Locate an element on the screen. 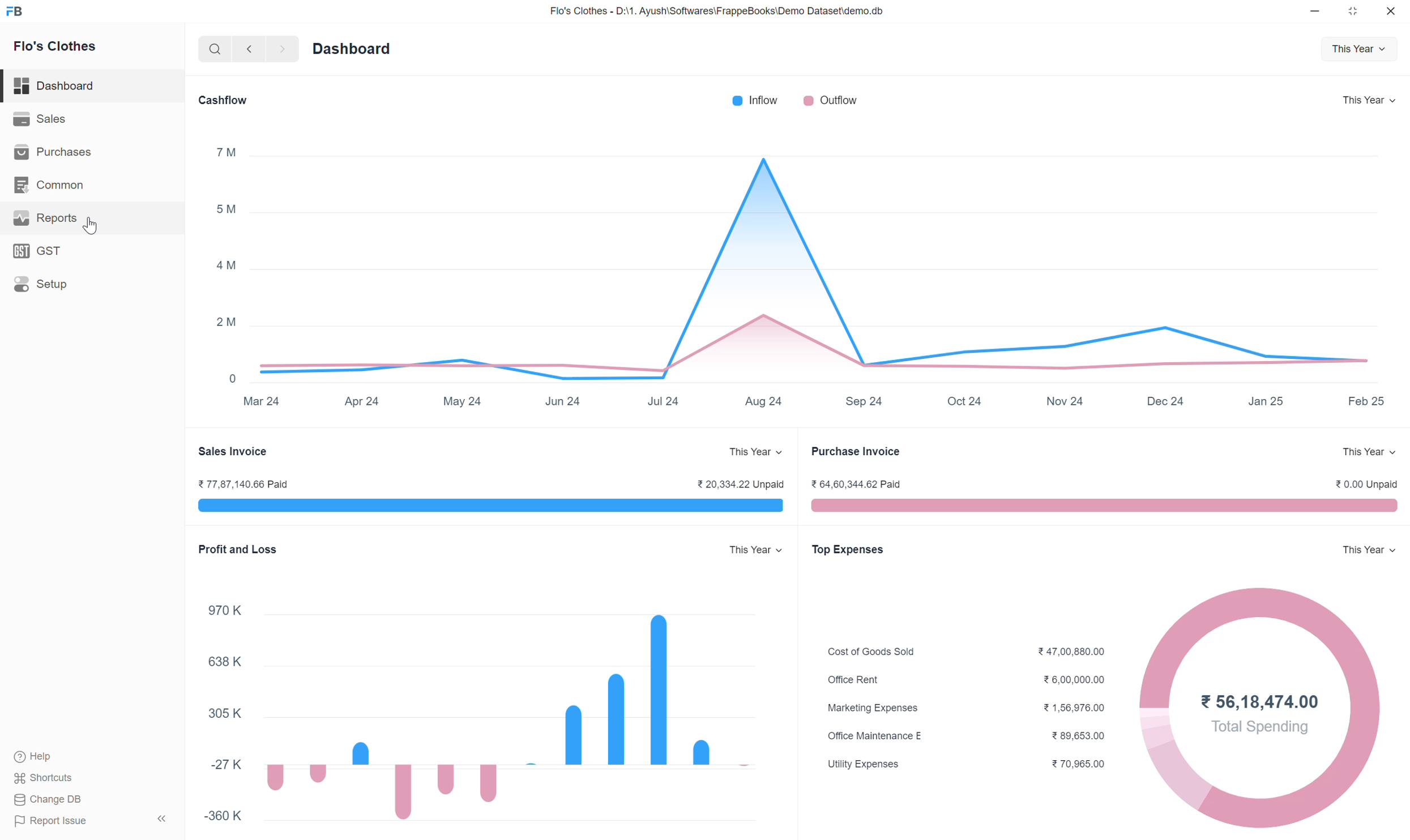  This Year is located at coordinates (1369, 100).